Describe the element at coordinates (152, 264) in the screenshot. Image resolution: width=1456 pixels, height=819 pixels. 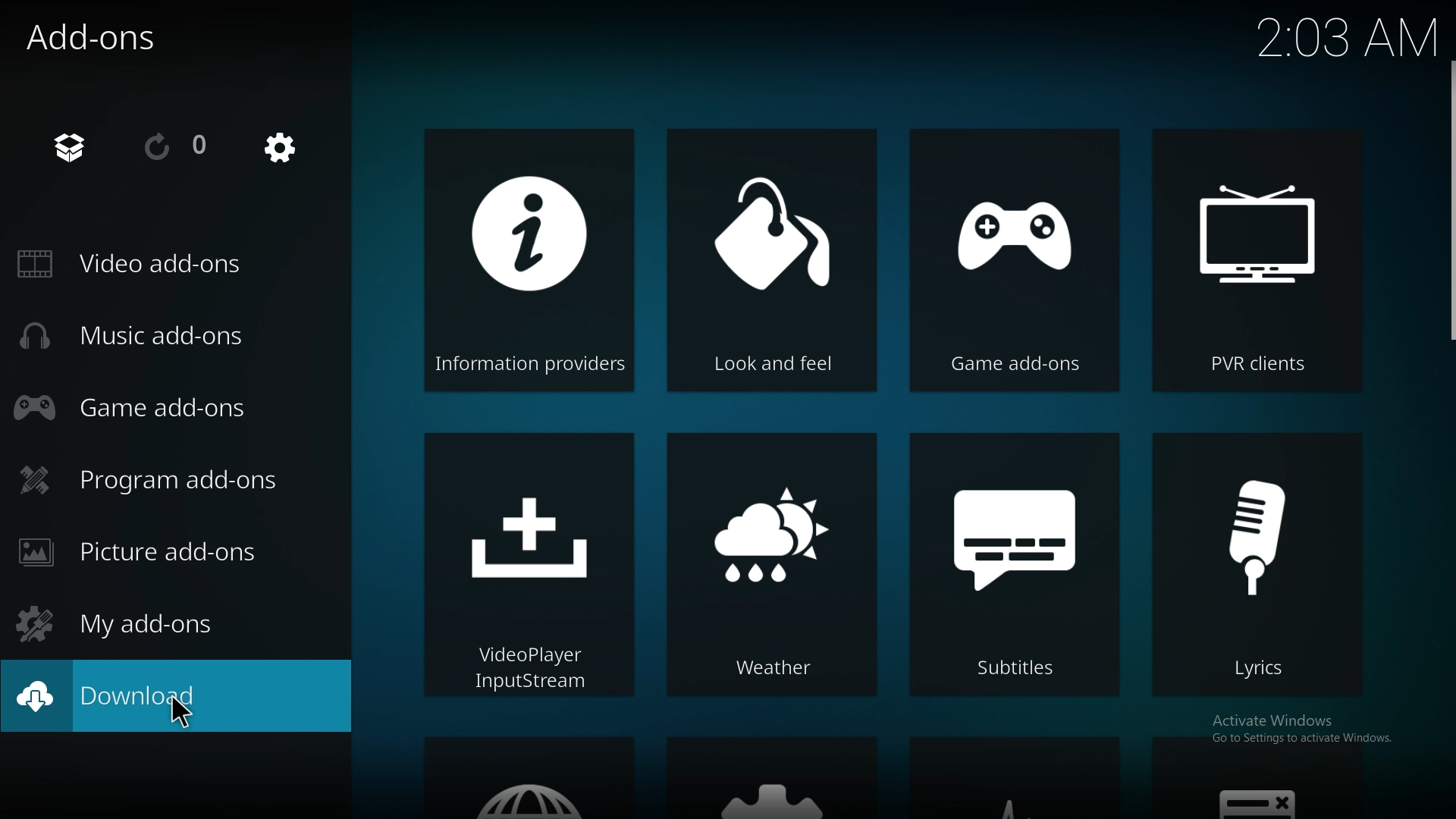
I see `video add ons` at that location.